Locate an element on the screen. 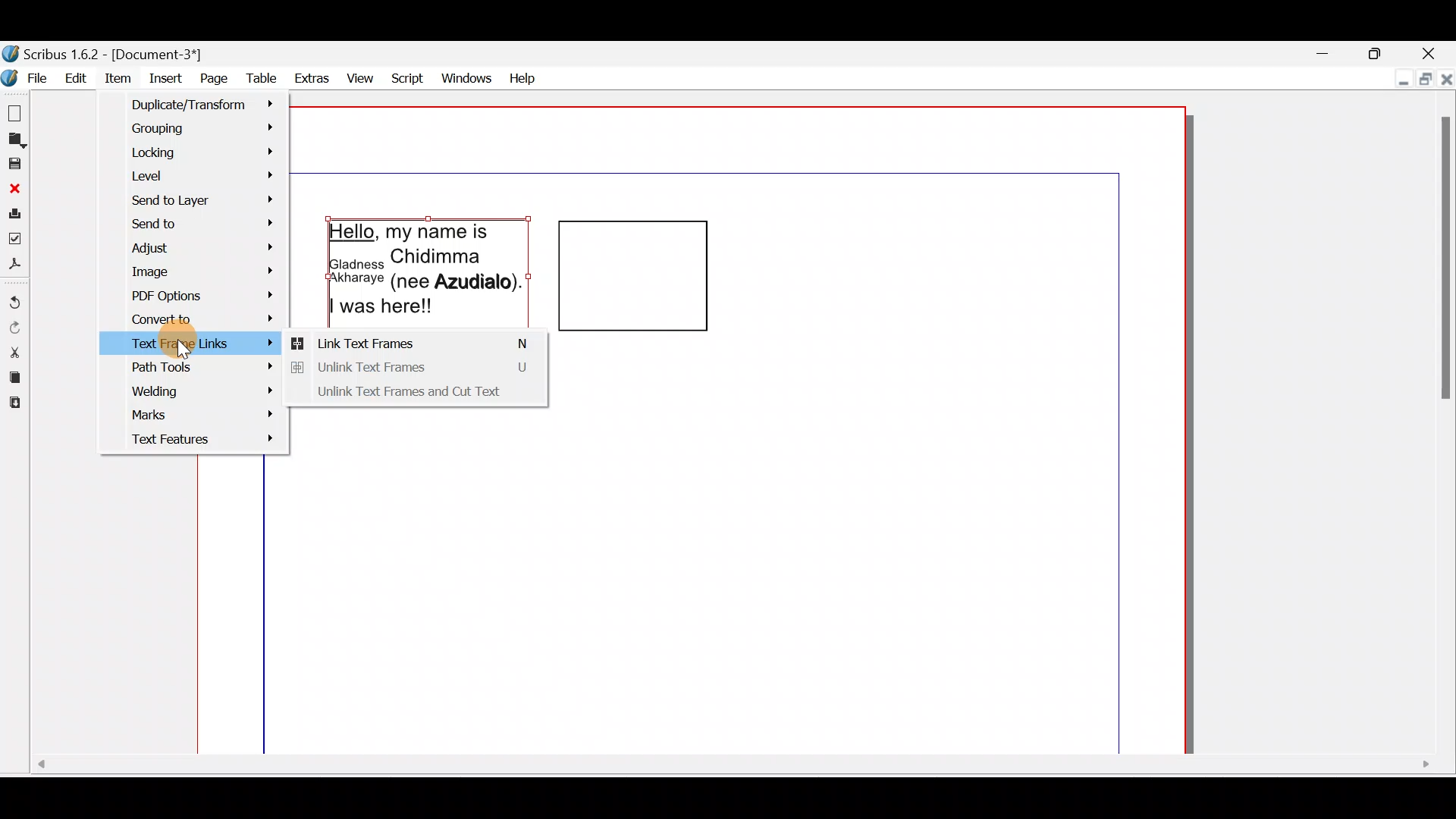 Image resolution: width=1456 pixels, height=819 pixels. Insert is located at coordinates (163, 76).